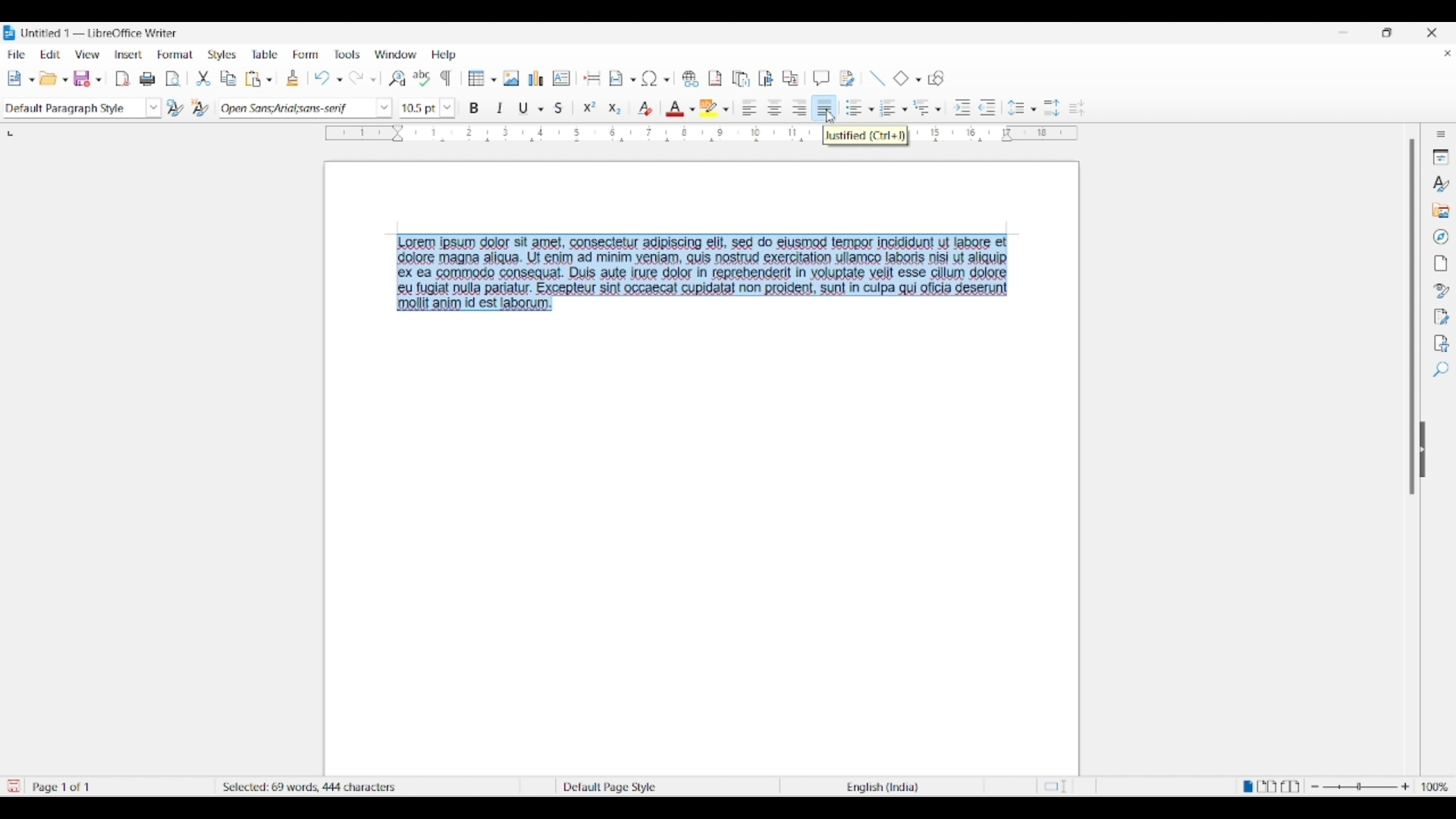  I want to click on Zoom out, so click(1315, 786).